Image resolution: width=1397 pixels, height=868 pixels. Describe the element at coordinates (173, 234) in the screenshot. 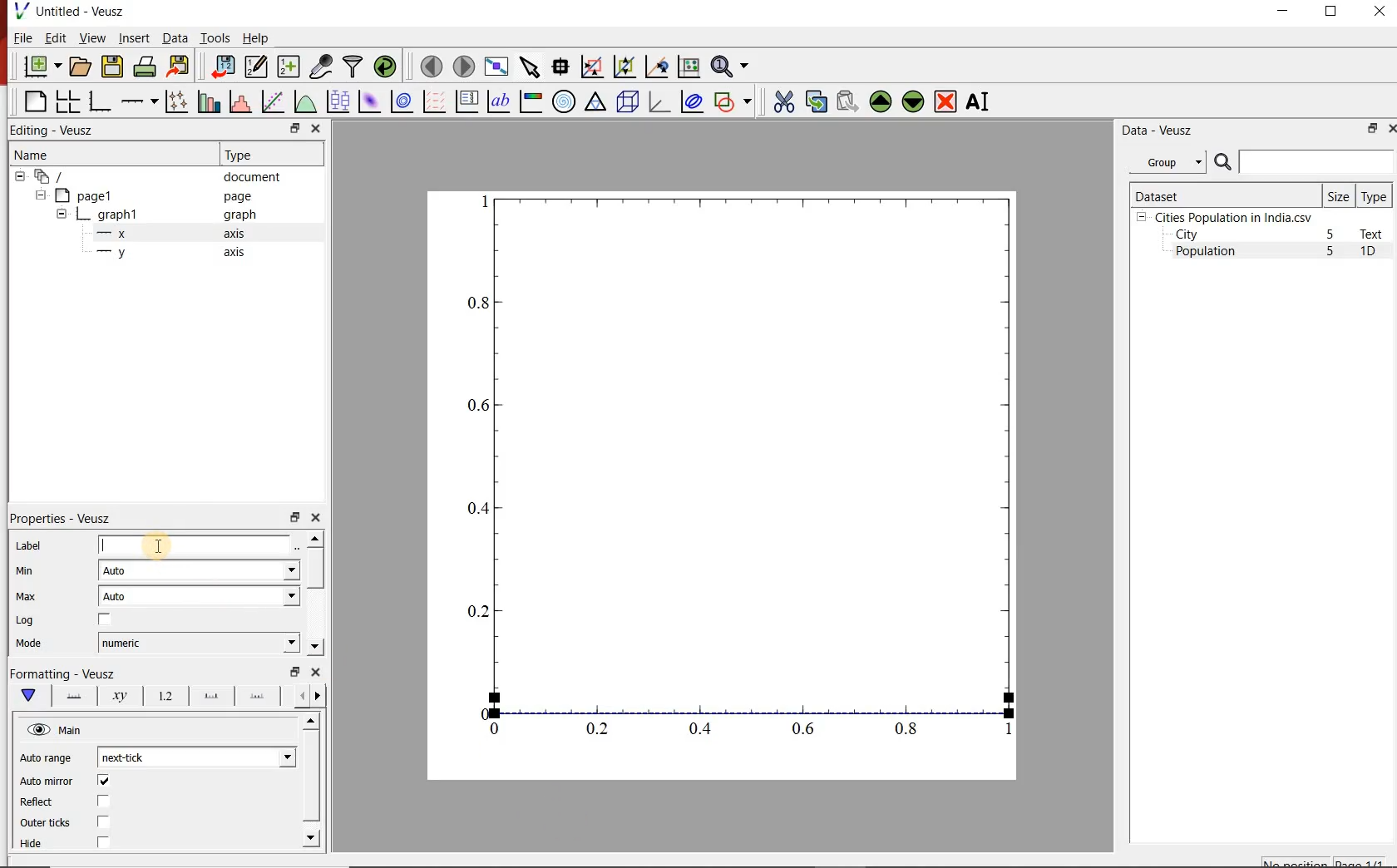

I see `x axis` at that location.